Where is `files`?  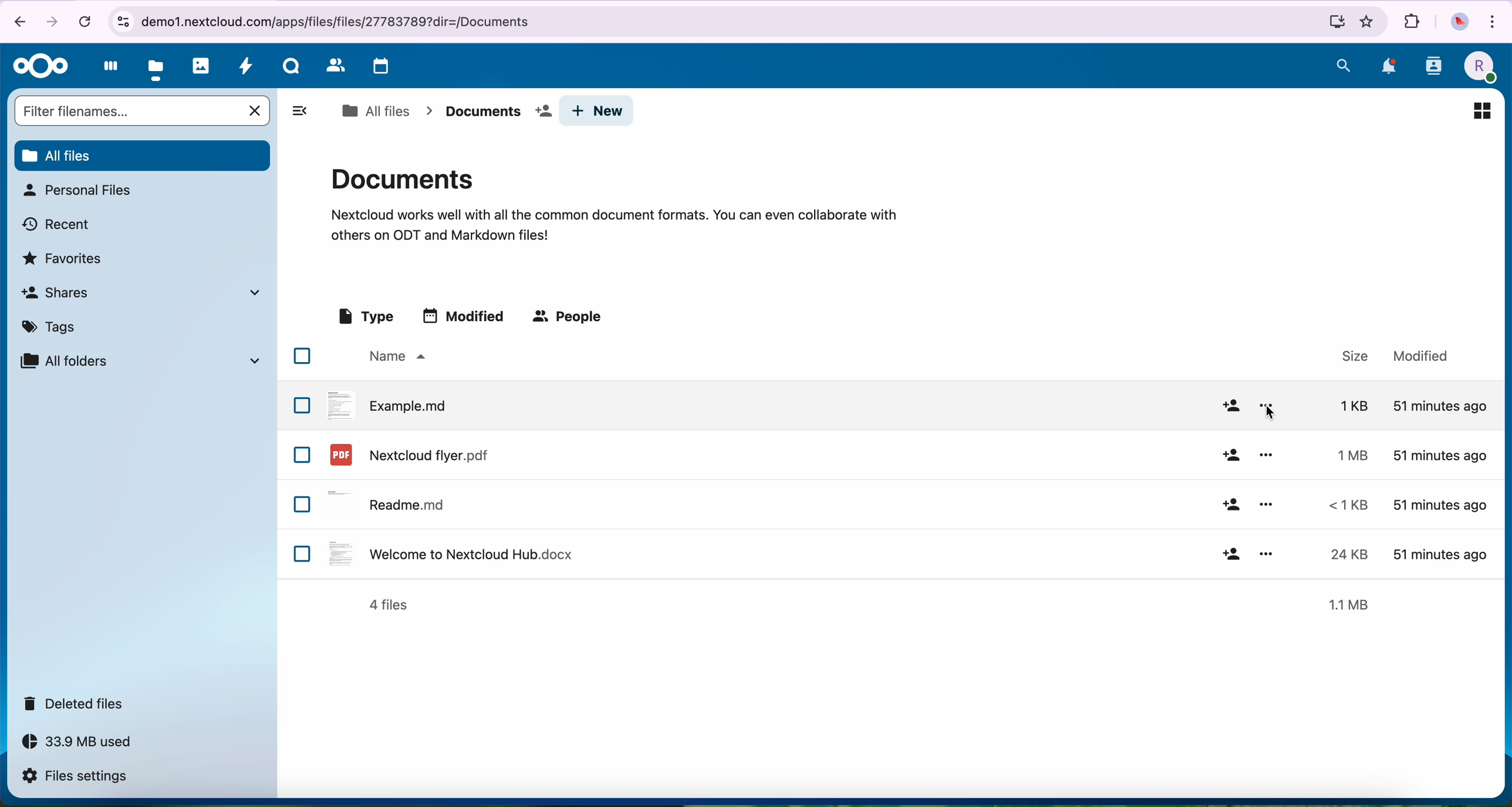
files is located at coordinates (157, 67).